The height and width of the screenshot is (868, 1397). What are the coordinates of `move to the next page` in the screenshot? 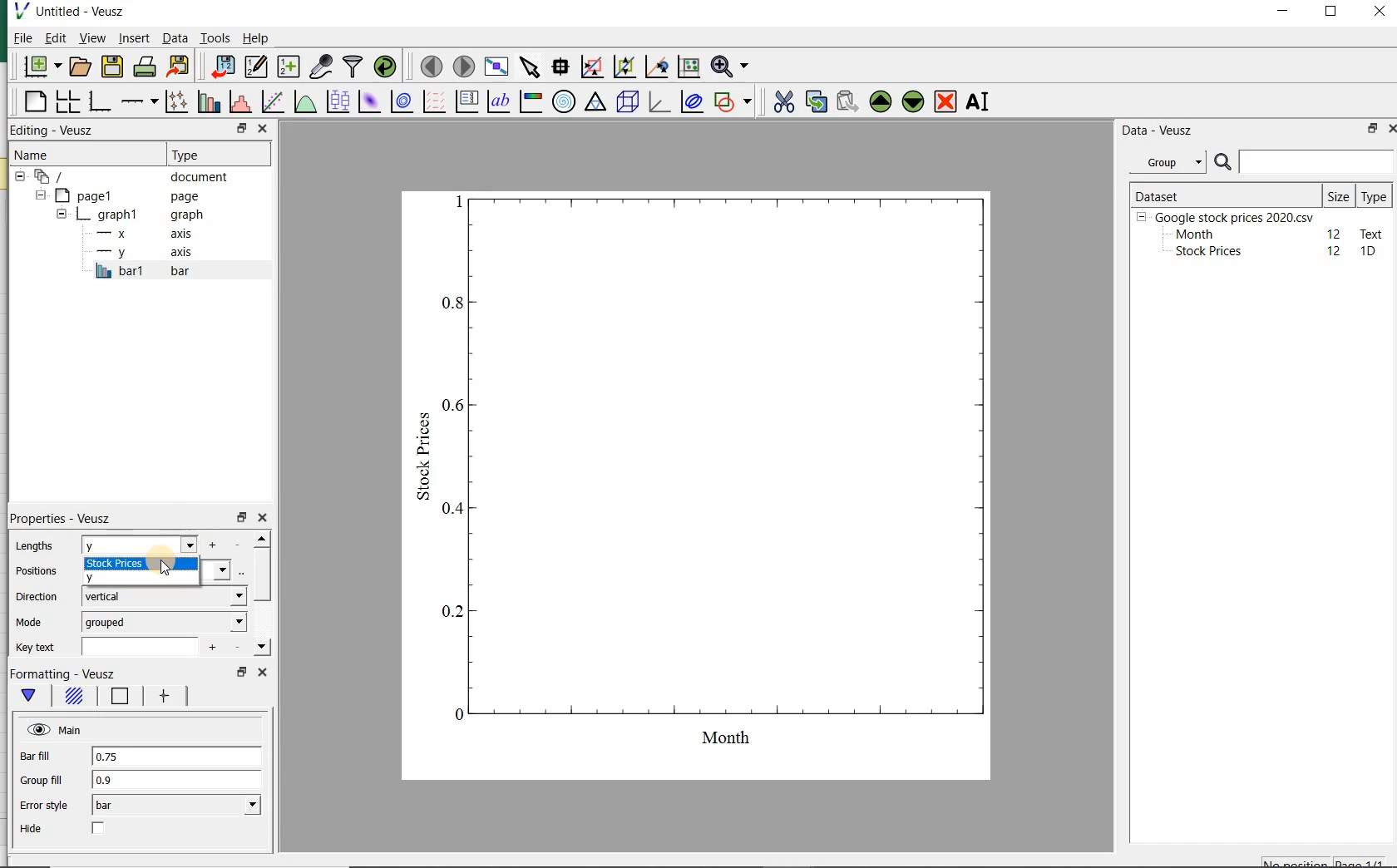 It's located at (464, 67).